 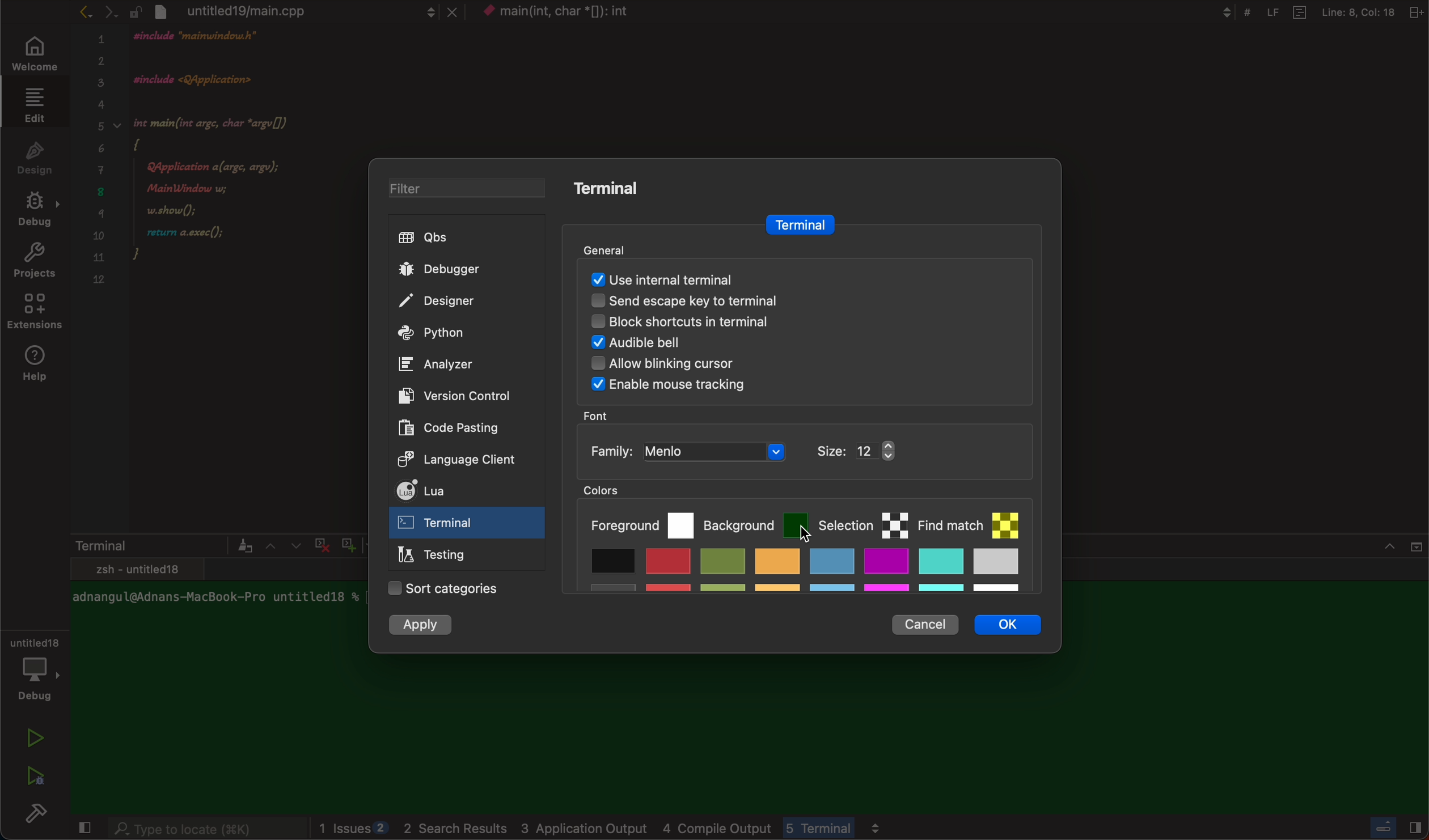 I want to click on arrows, so click(x=97, y=11).